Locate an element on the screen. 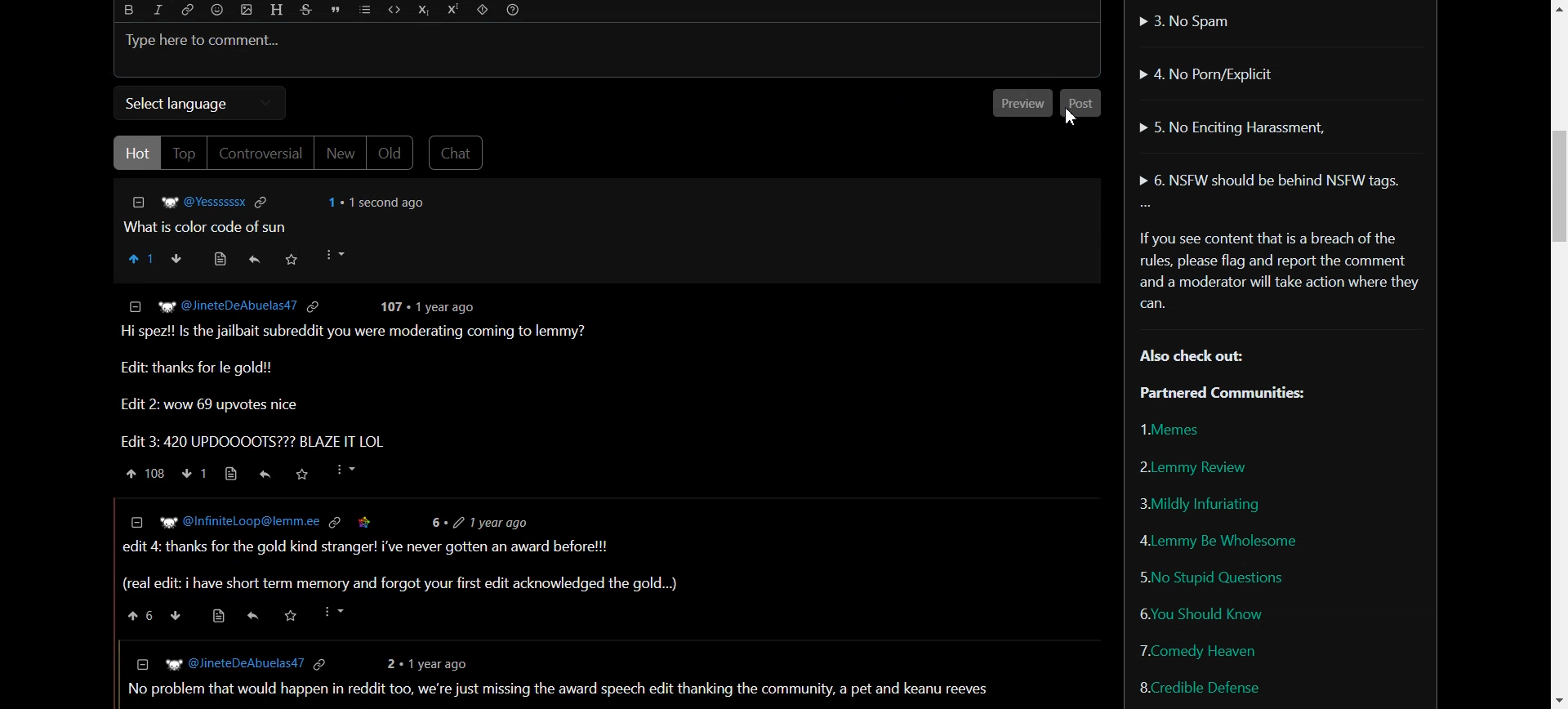 This screenshot has height=709, width=1568. Mildly Infuriating is located at coordinates (1218, 505).